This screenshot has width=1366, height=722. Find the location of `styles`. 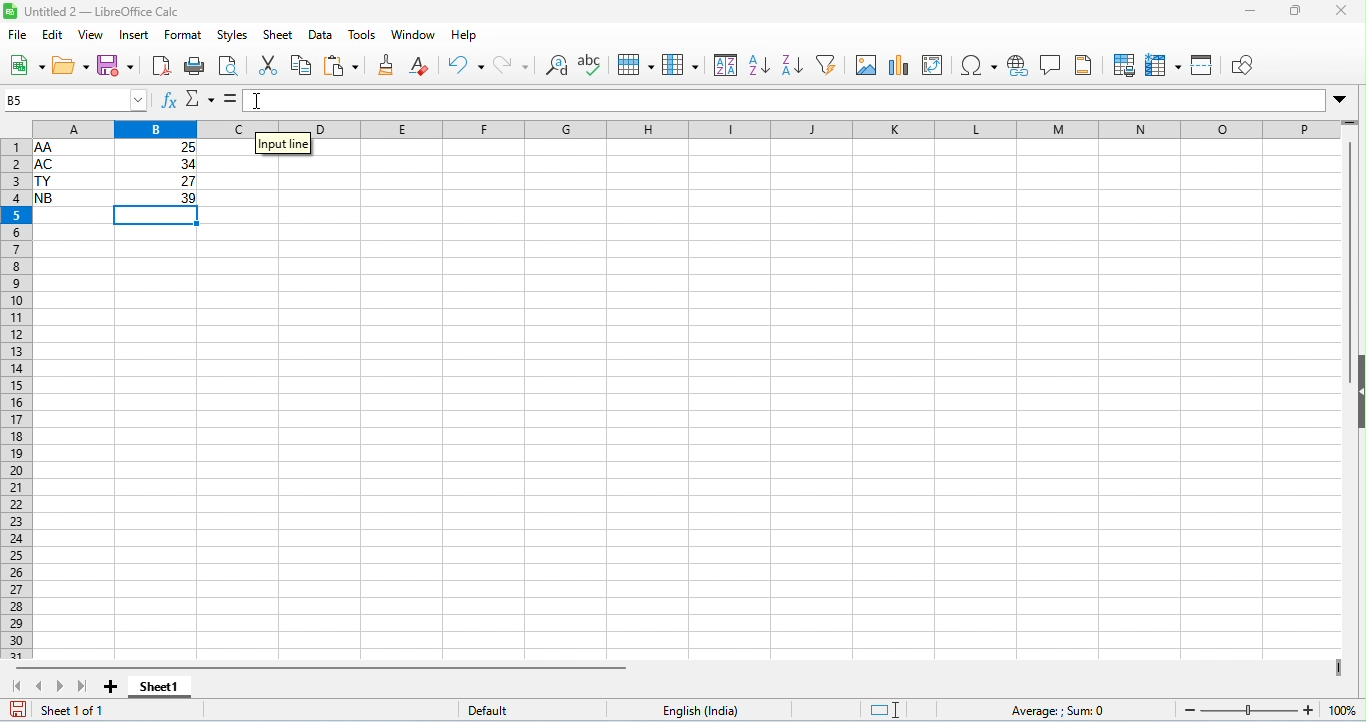

styles is located at coordinates (234, 36).